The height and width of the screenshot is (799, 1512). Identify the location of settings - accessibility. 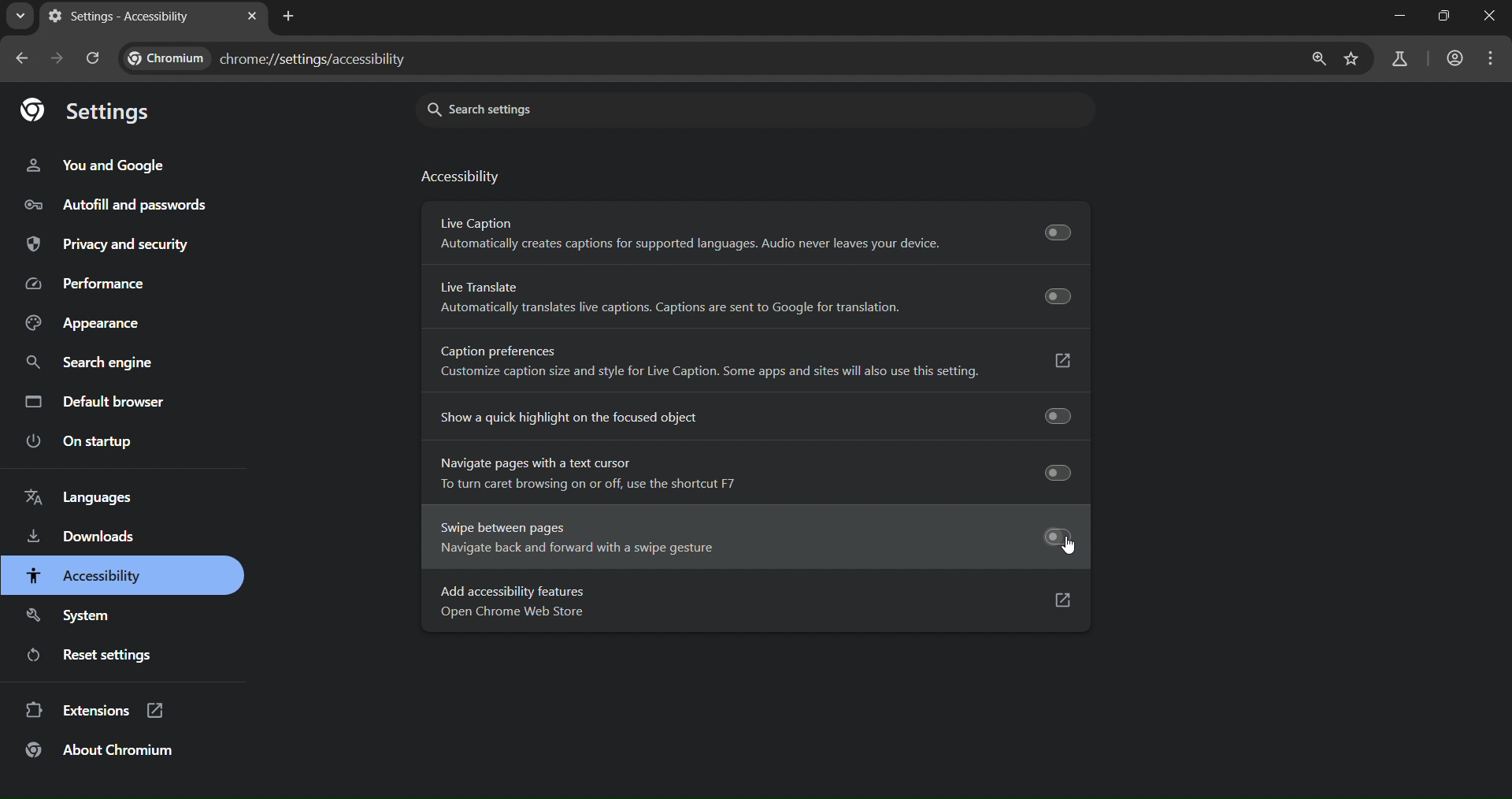
(121, 17).